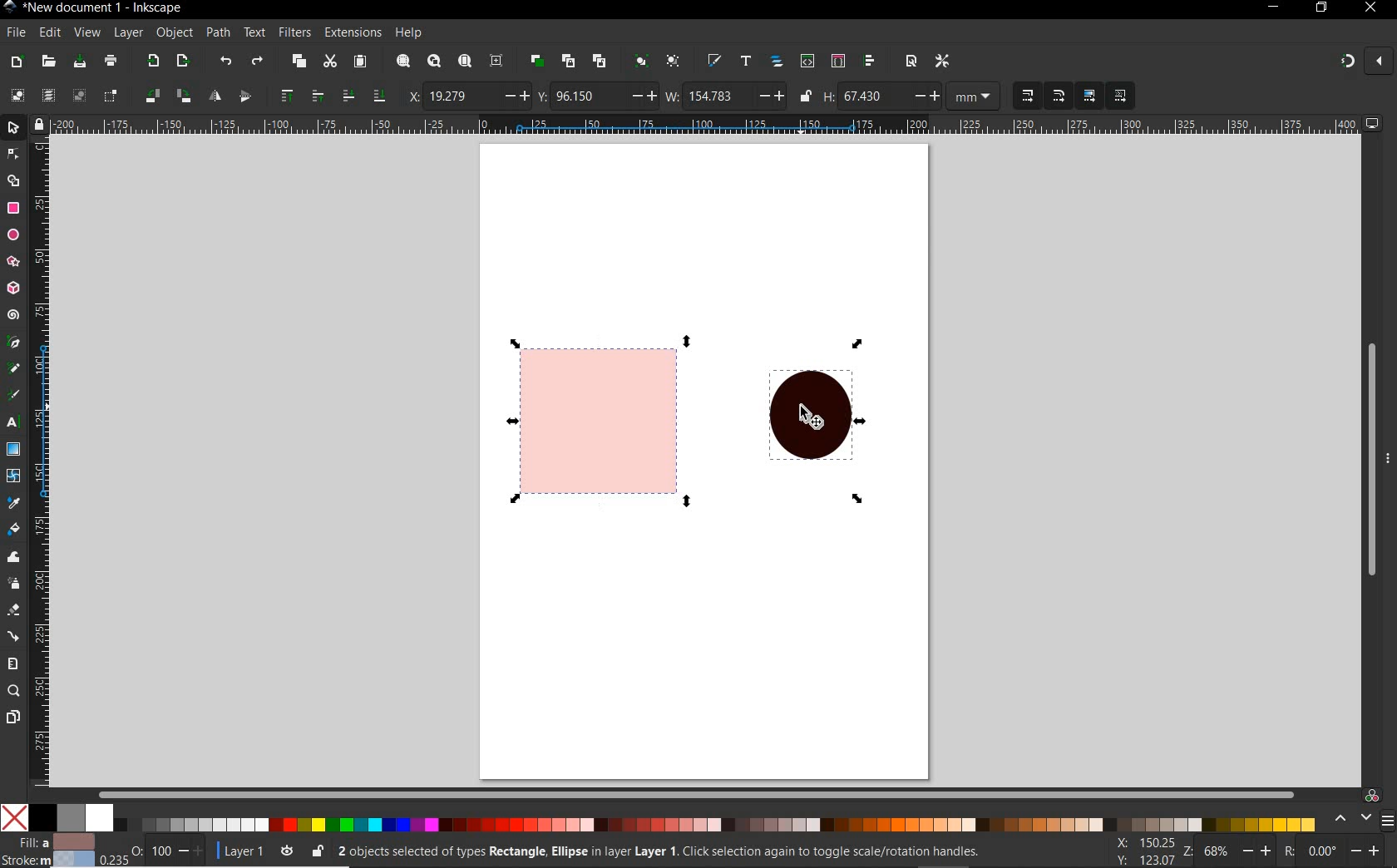 The image size is (1397, 868). Describe the element at coordinates (318, 851) in the screenshot. I see `lock or unlock the object` at that location.